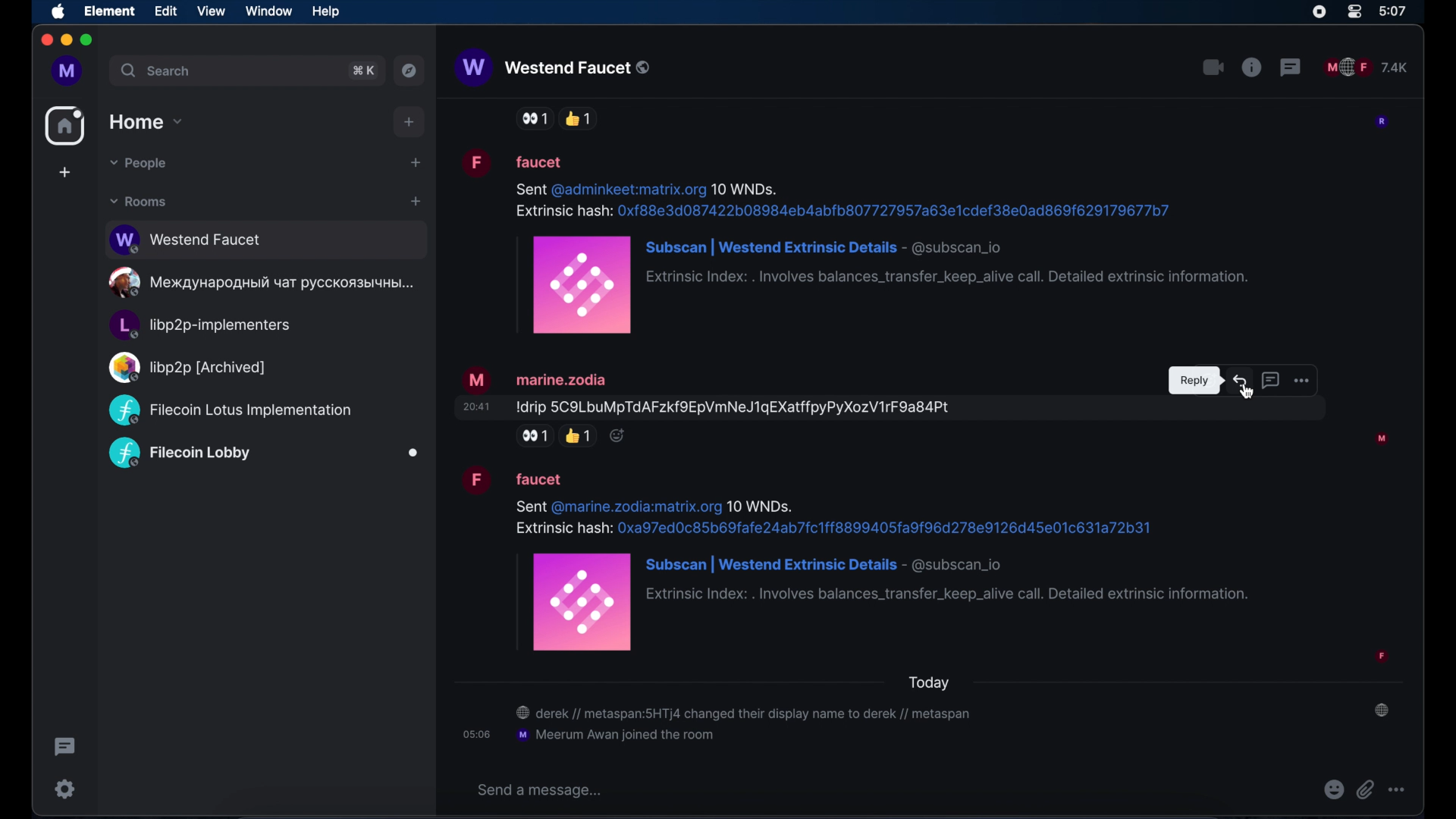 Image resolution: width=1456 pixels, height=819 pixels. I want to click on public room, so click(186, 367).